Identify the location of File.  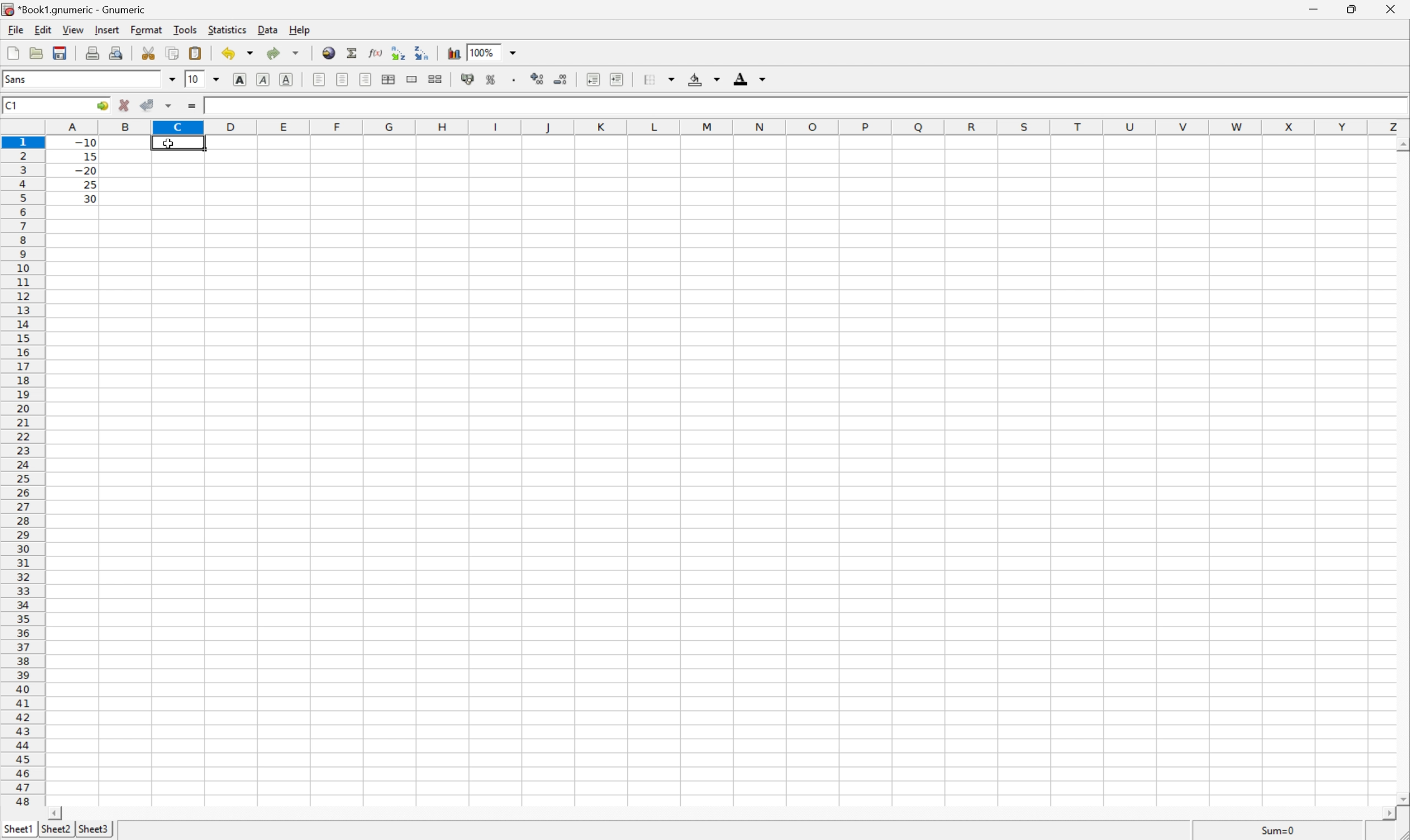
(13, 54).